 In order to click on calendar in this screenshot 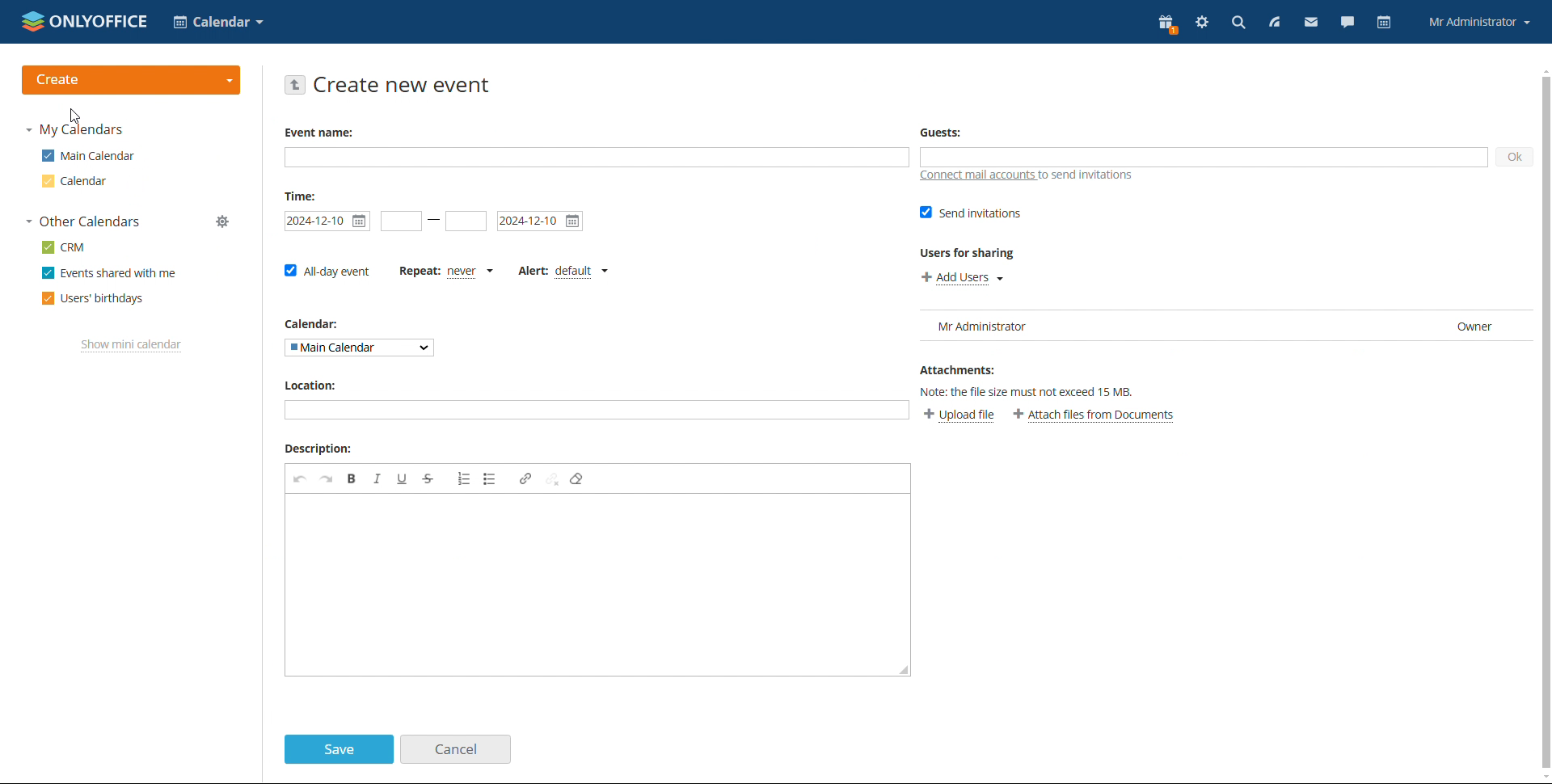, I will do `click(1383, 23)`.